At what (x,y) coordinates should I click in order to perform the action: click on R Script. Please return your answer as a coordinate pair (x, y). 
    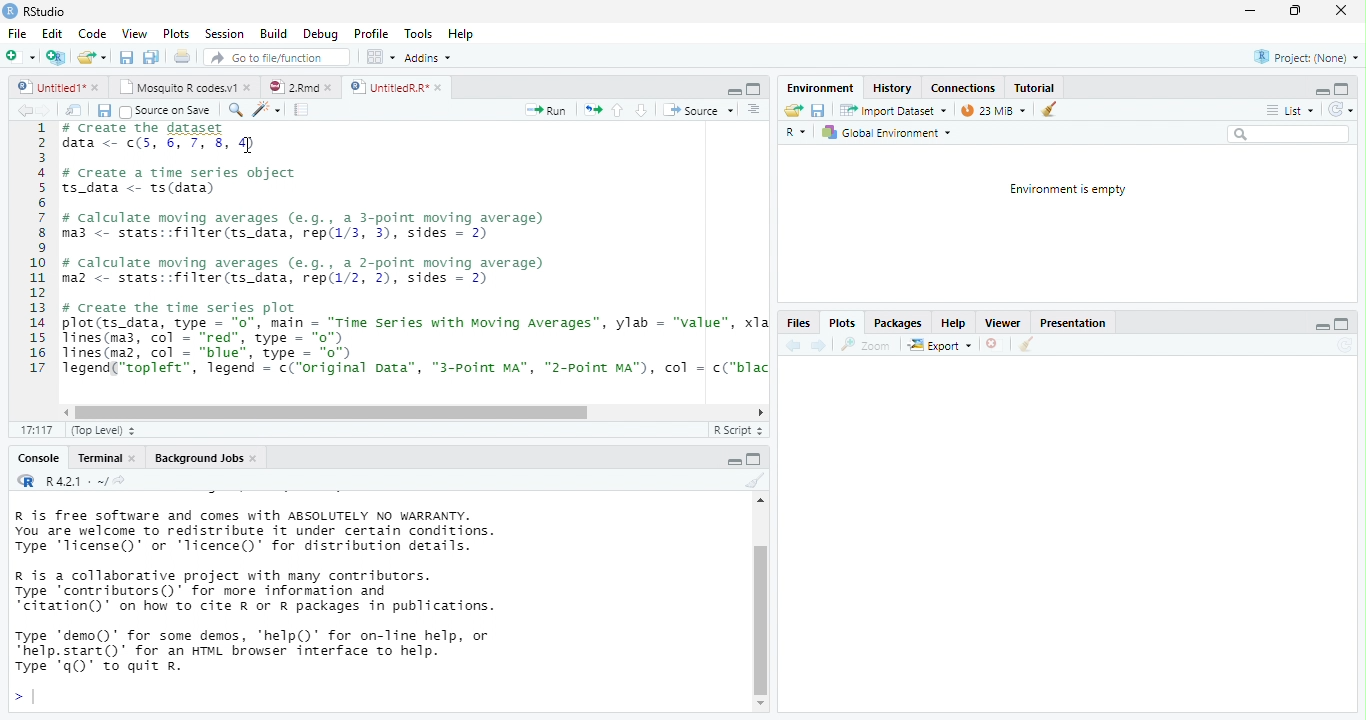
    Looking at the image, I should click on (736, 430).